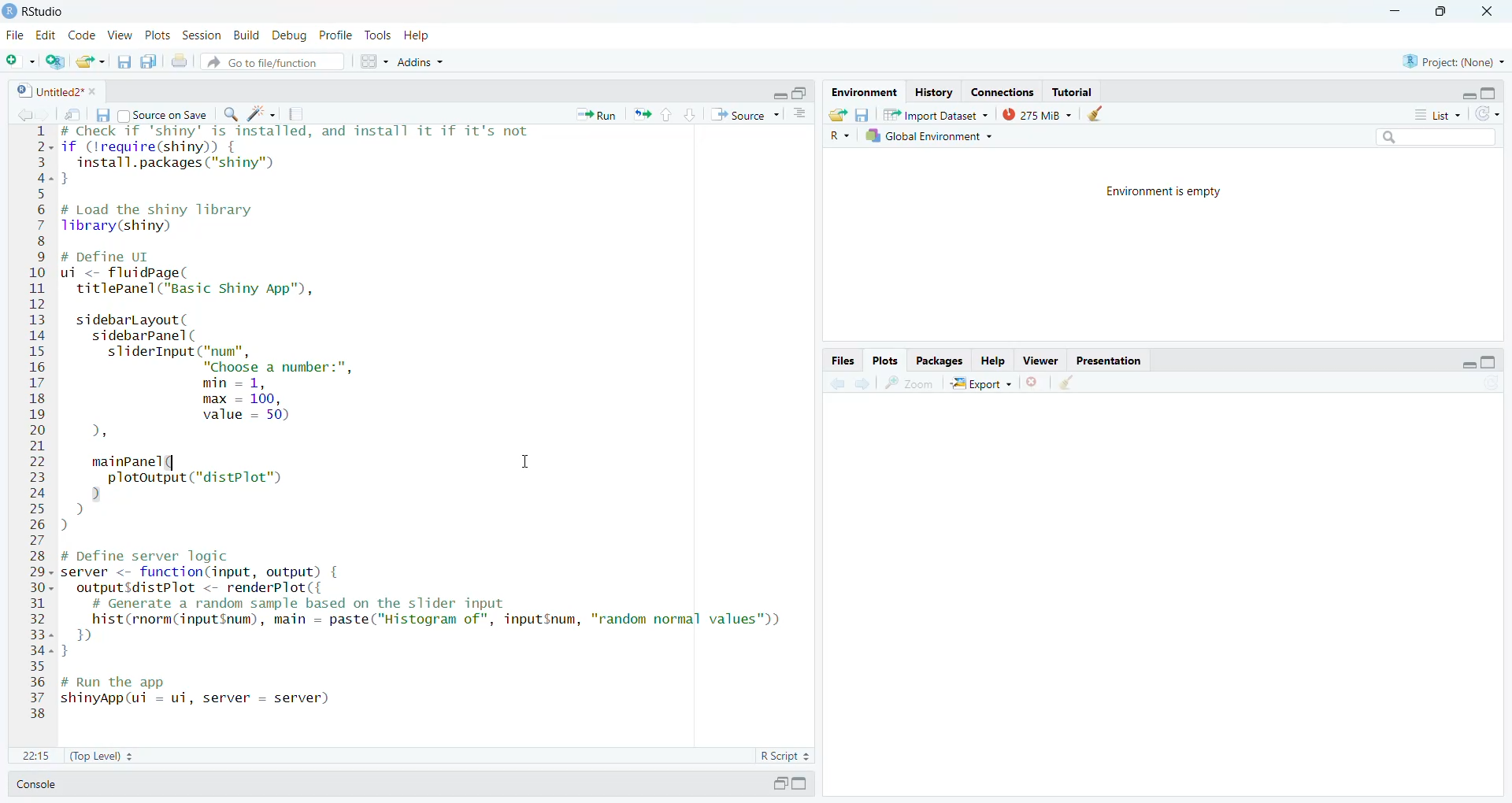 This screenshot has height=803, width=1512. What do you see at coordinates (96, 91) in the screenshot?
I see `close` at bounding box center [96, 91].